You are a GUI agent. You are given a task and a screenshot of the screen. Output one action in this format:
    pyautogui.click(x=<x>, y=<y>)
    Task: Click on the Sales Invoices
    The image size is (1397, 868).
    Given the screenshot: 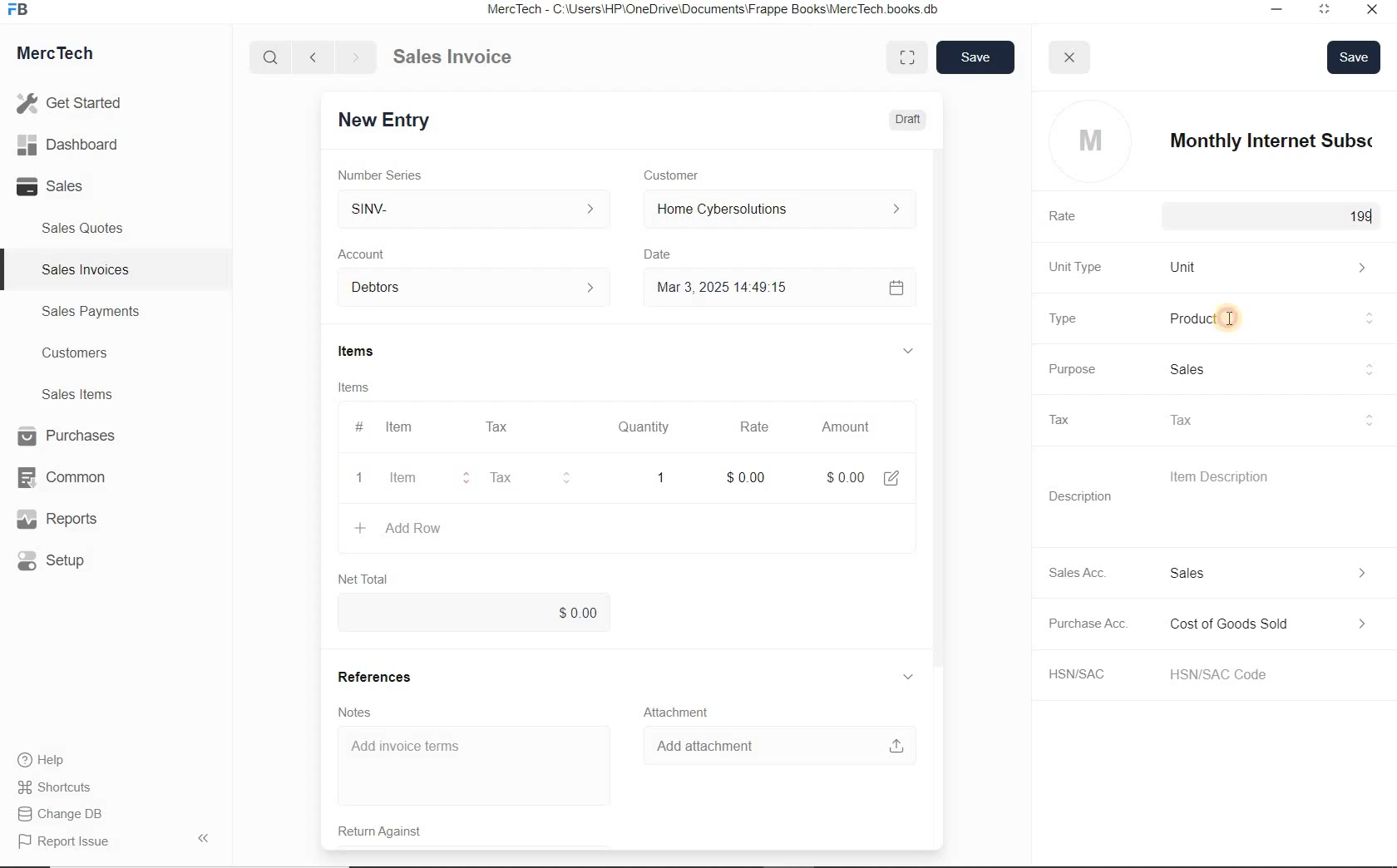 What is the action you would take?
    pyautogui.click(x=86, y=269)
    